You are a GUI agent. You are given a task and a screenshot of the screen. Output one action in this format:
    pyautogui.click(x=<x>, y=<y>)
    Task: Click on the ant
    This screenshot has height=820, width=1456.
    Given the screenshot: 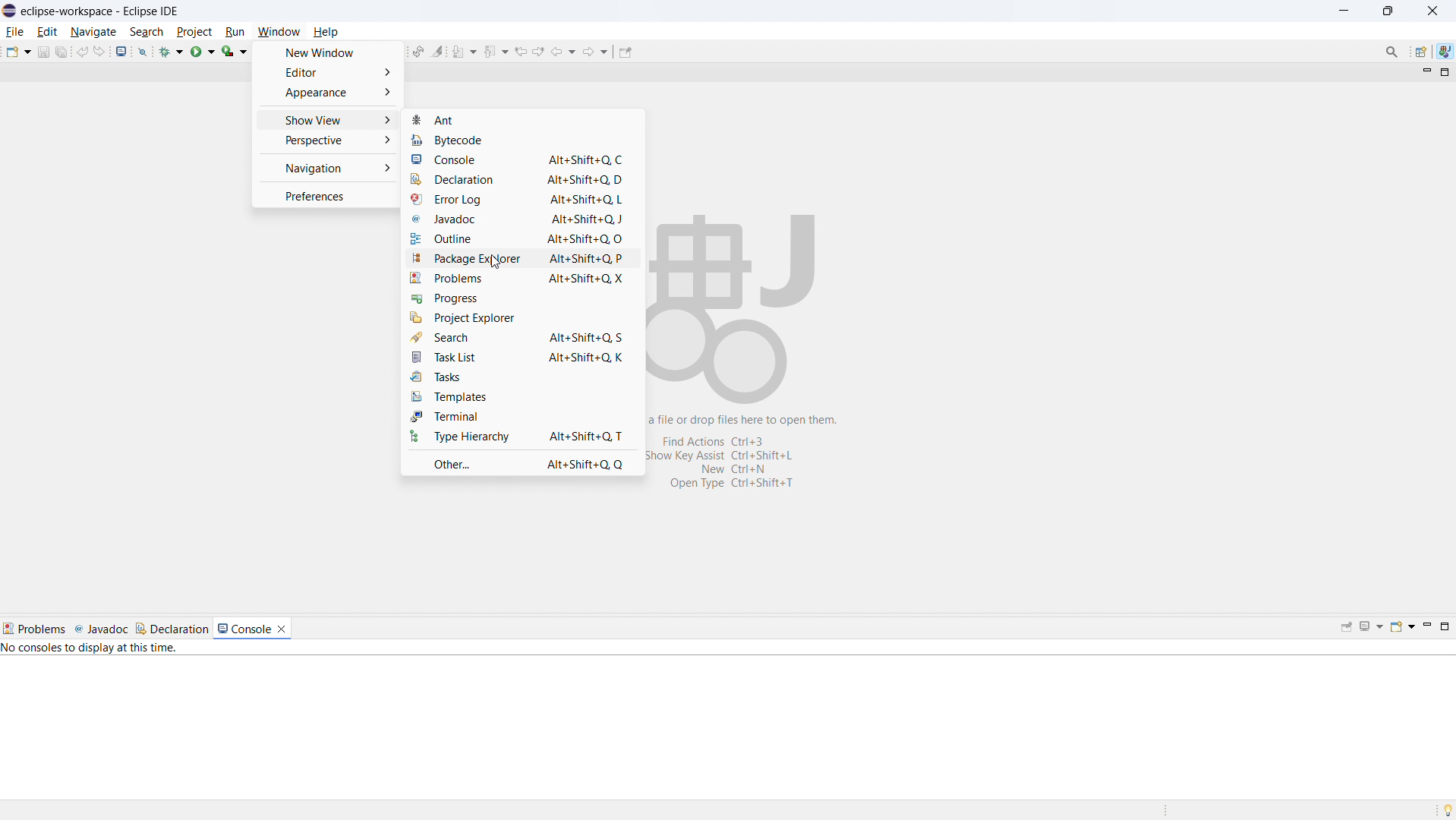 What is the action you would take?
    pyautogui.click(x=522, y=119)
    